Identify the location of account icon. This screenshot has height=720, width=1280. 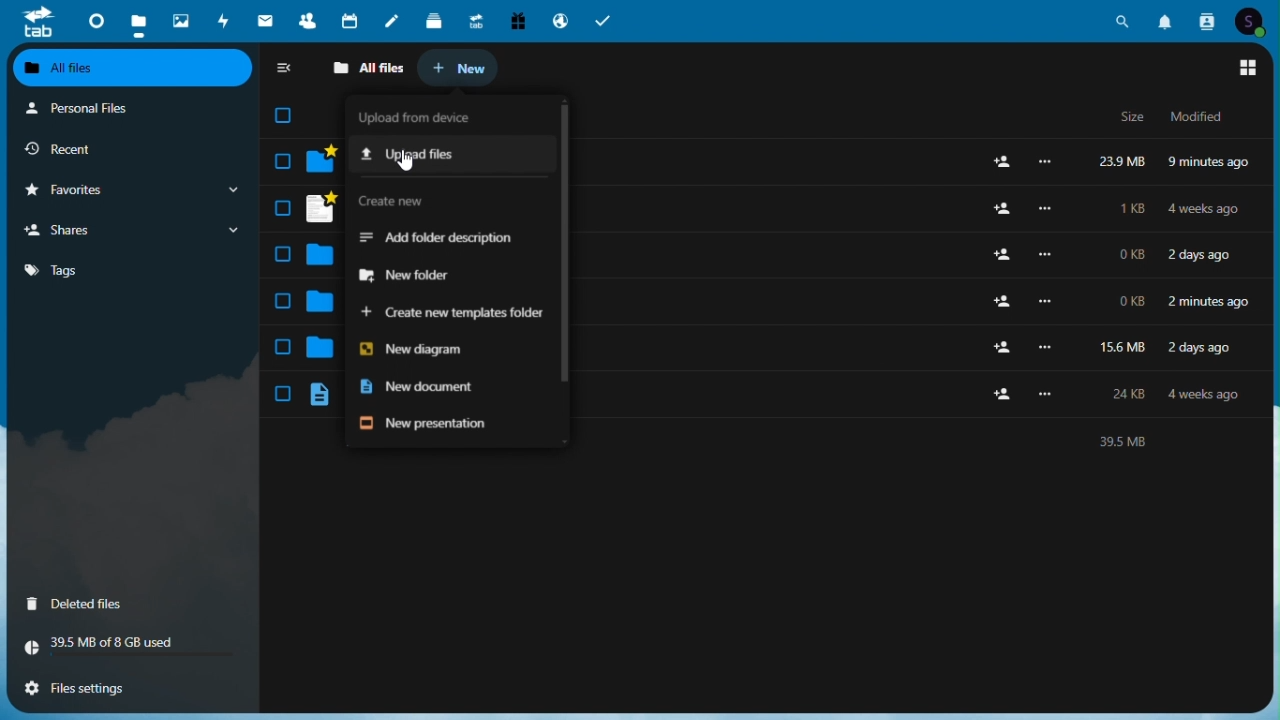
(1255, 20).